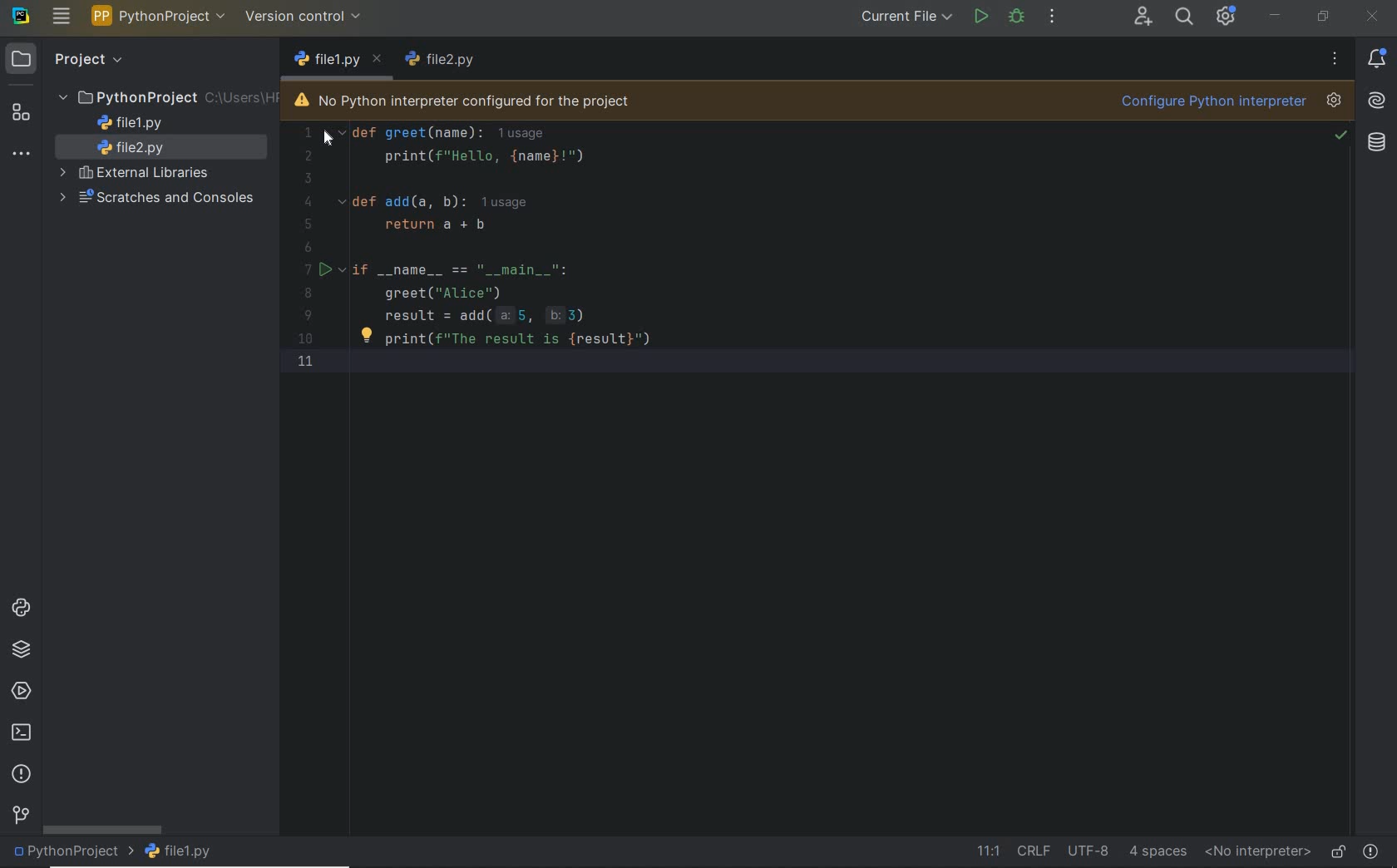  Describe the element at coordinates (20, 609) in the screenshot. I see `python consoles` at that location.